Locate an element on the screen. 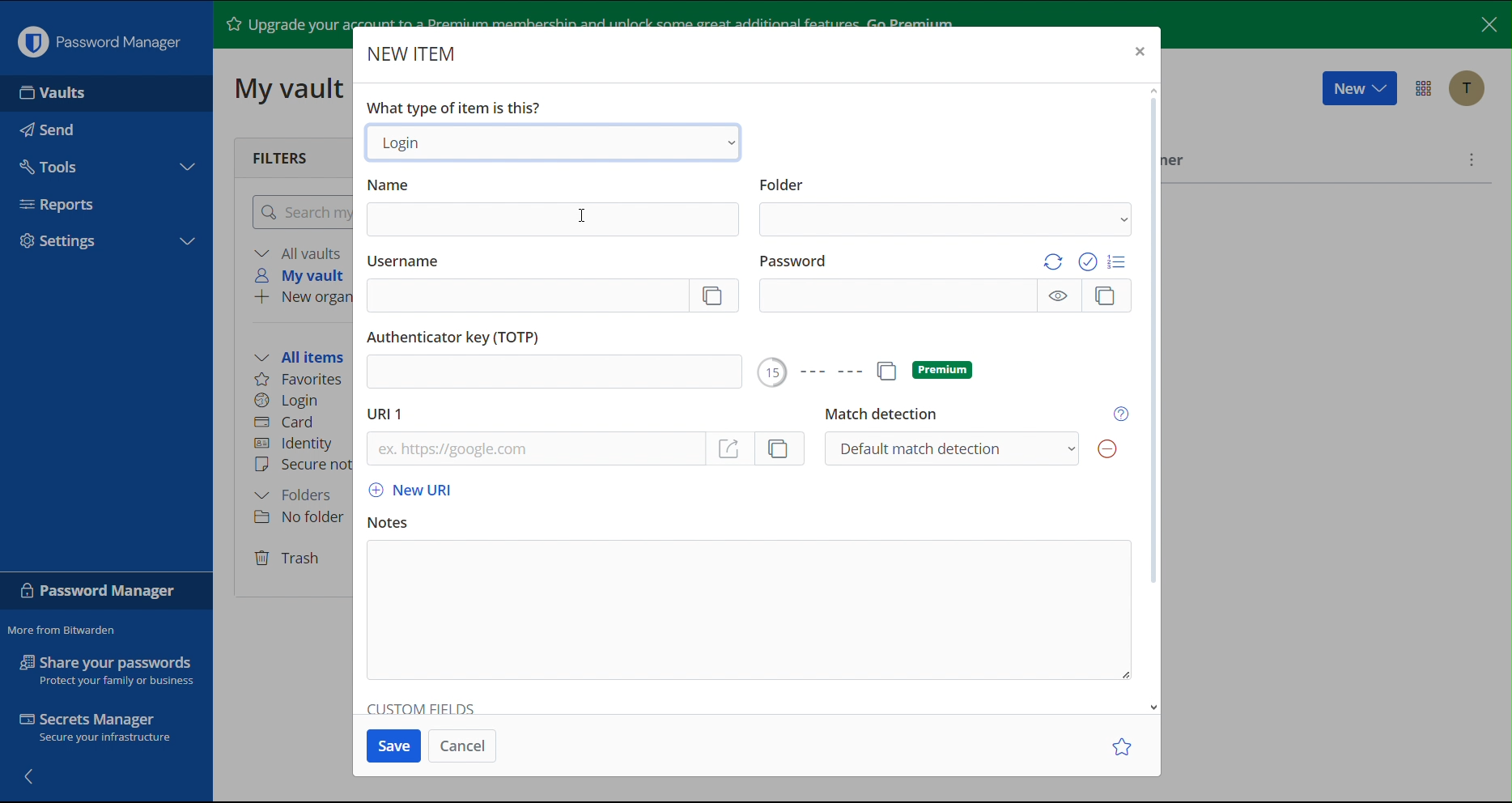 The image size is (1512, 803). No folder is located at coordinates (298, 520).